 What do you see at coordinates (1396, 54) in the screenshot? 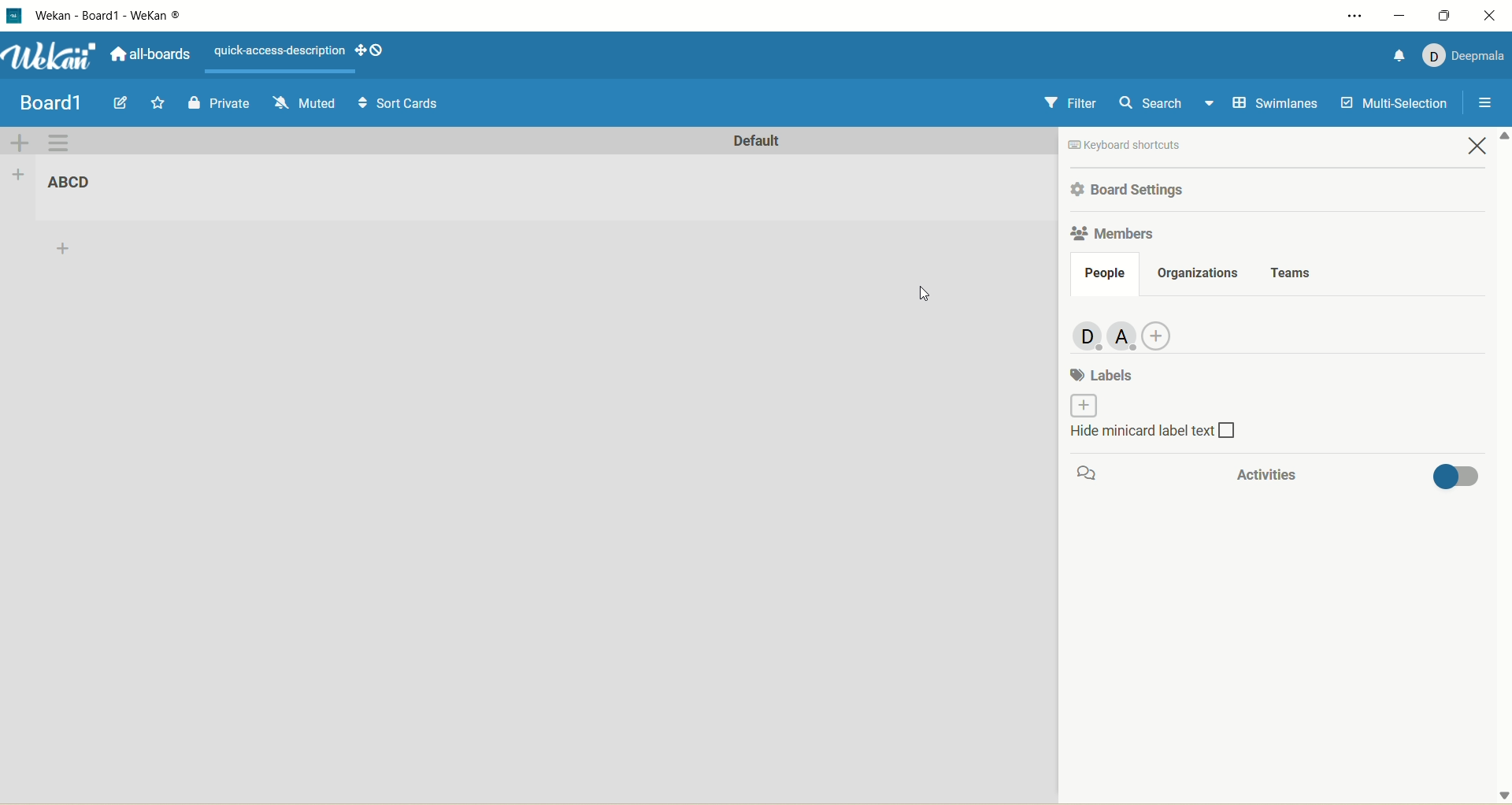
I see `notification` at bounding box center [1396, 54].